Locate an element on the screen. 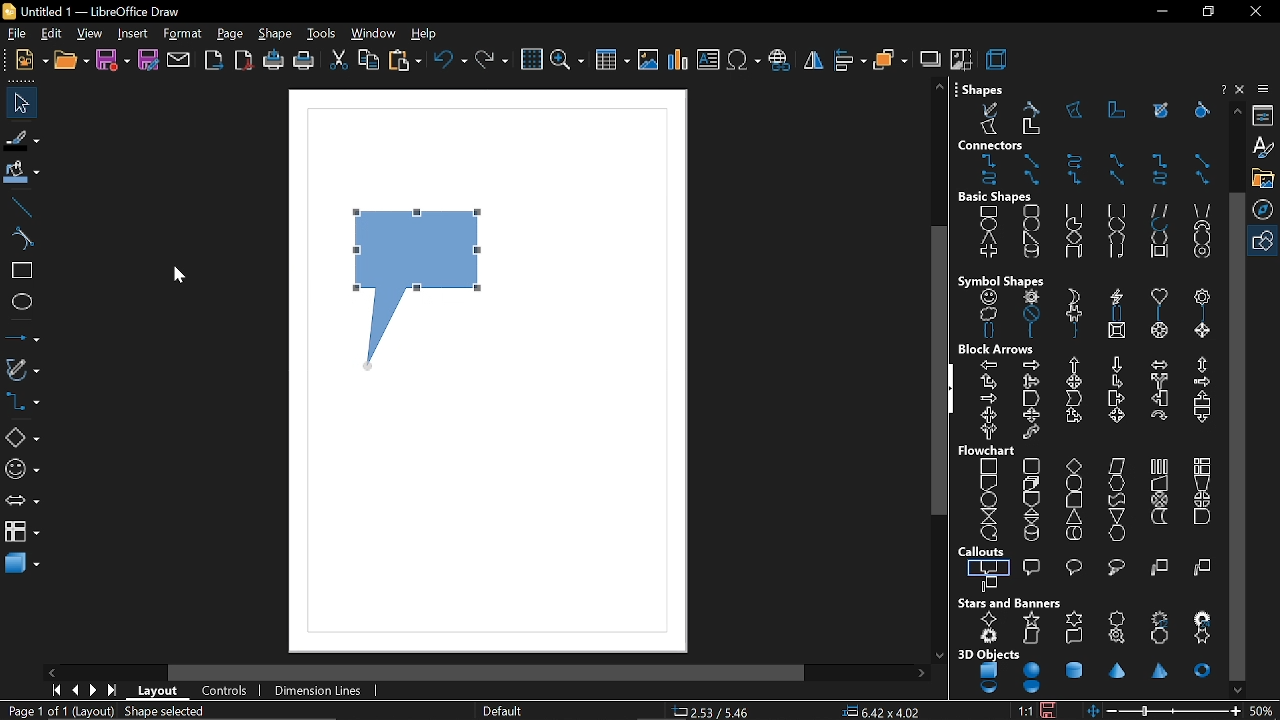  off page connector is located at coordinates (1029, 499).